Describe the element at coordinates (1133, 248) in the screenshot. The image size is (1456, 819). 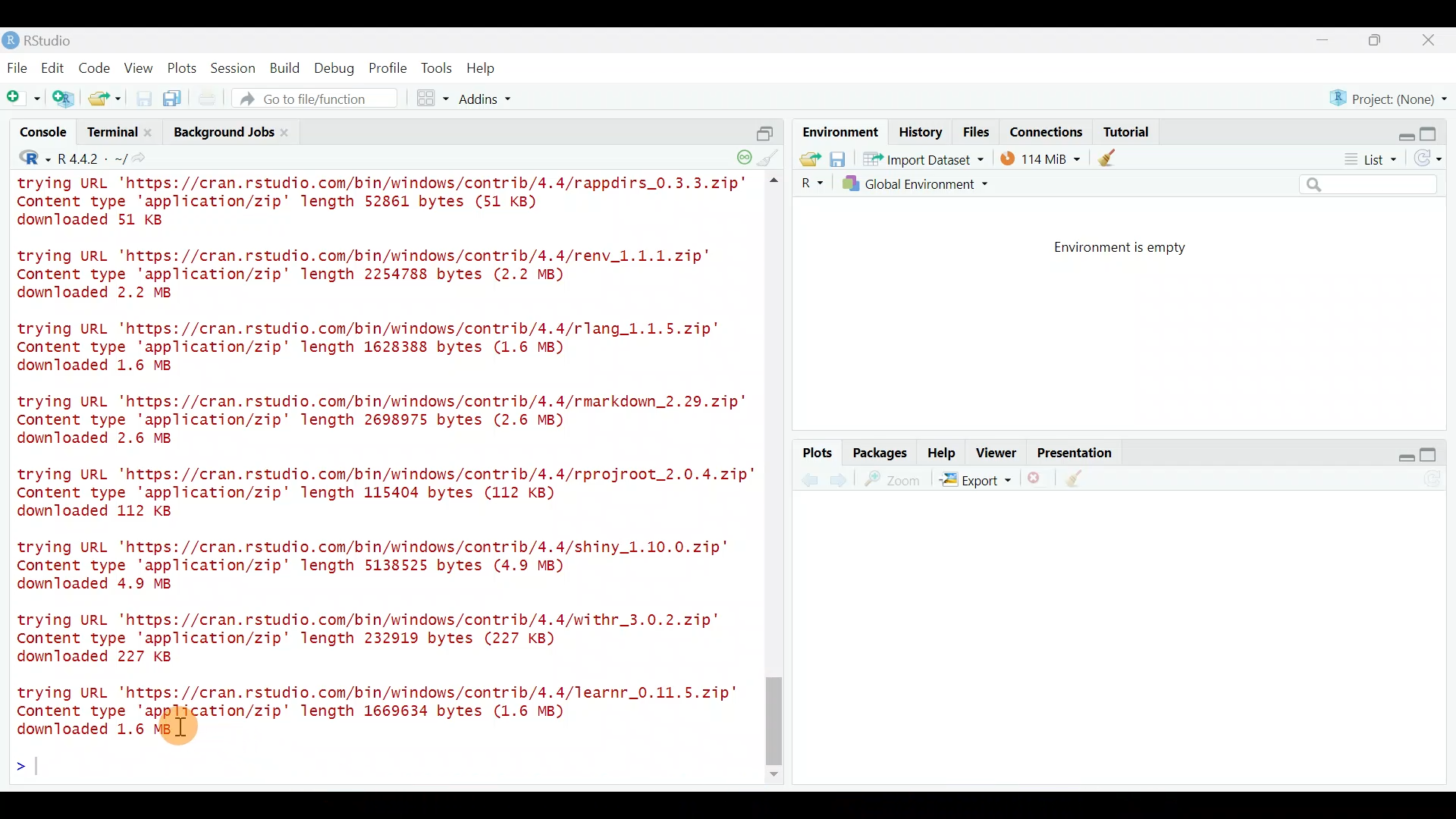
I see `Environment is empty` at that location.